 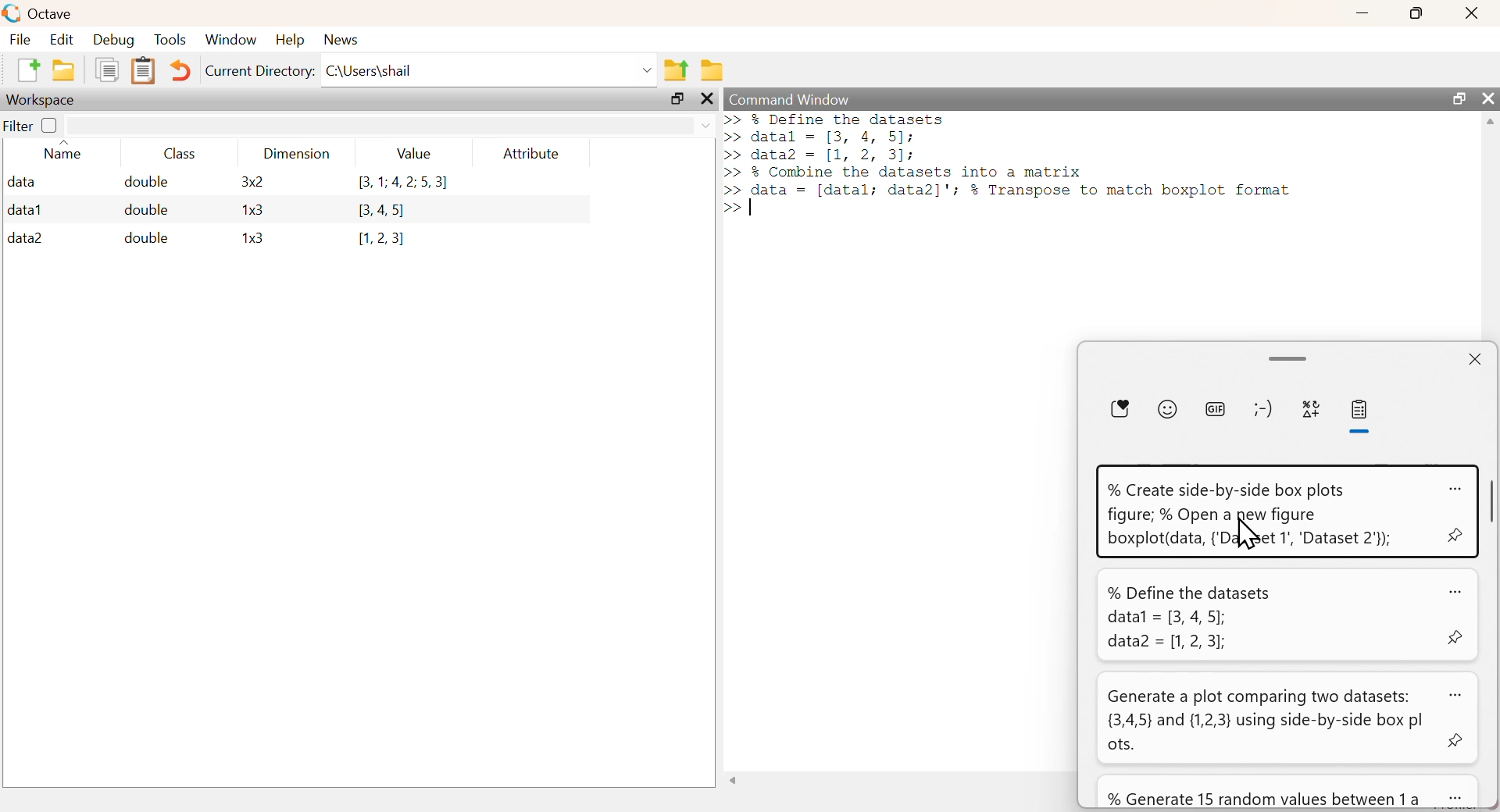 What do you see at coordinates (1262, 797) in the screenshot?
I see `% Generate 15 random values between 1a` at bounding box center [1262, 797].